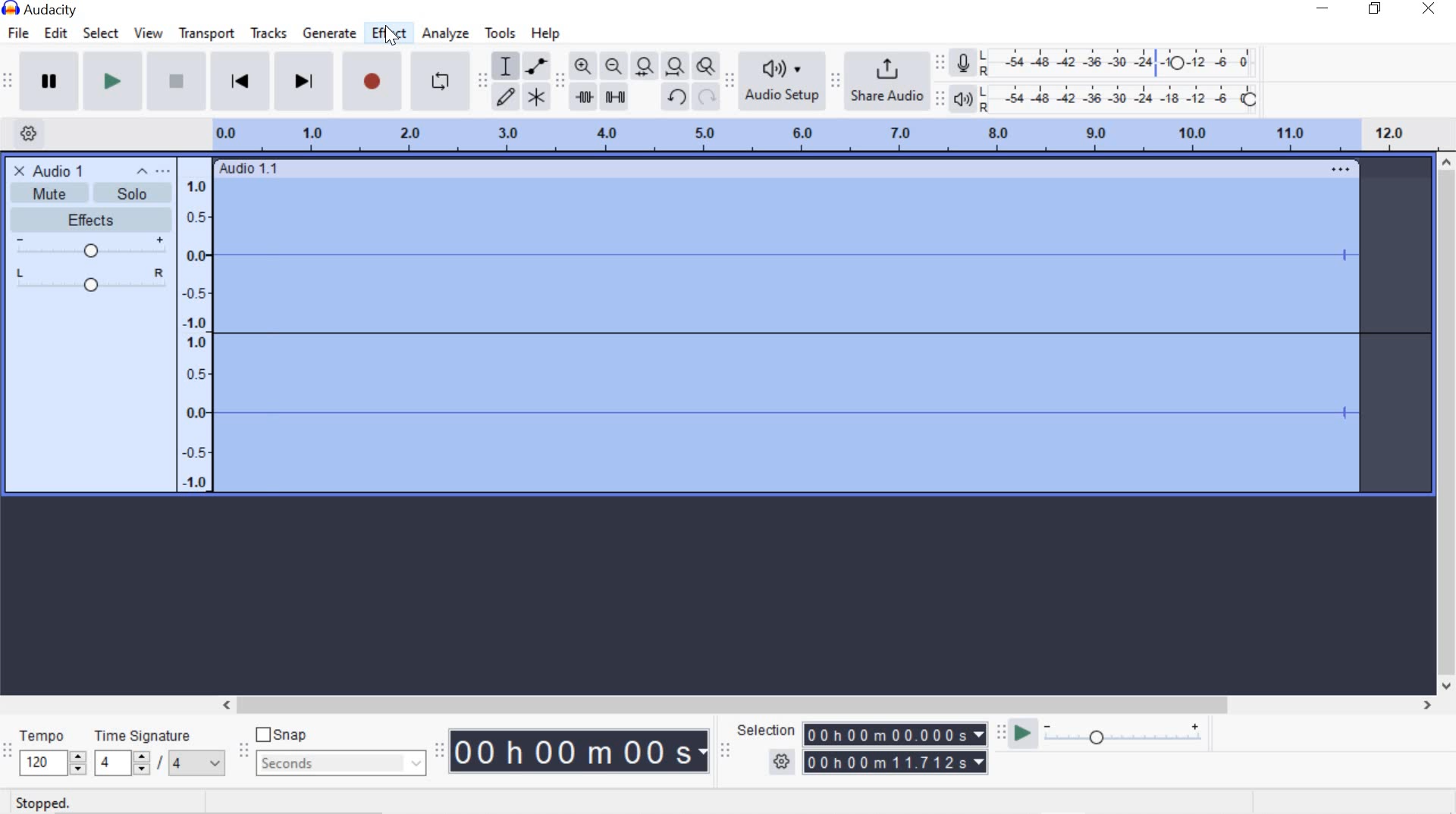 The width and height of the screenshot is (1456, 814). Describe the element at coordinates (241, 81) in the screenshot. I see `Skip to start` at that location.